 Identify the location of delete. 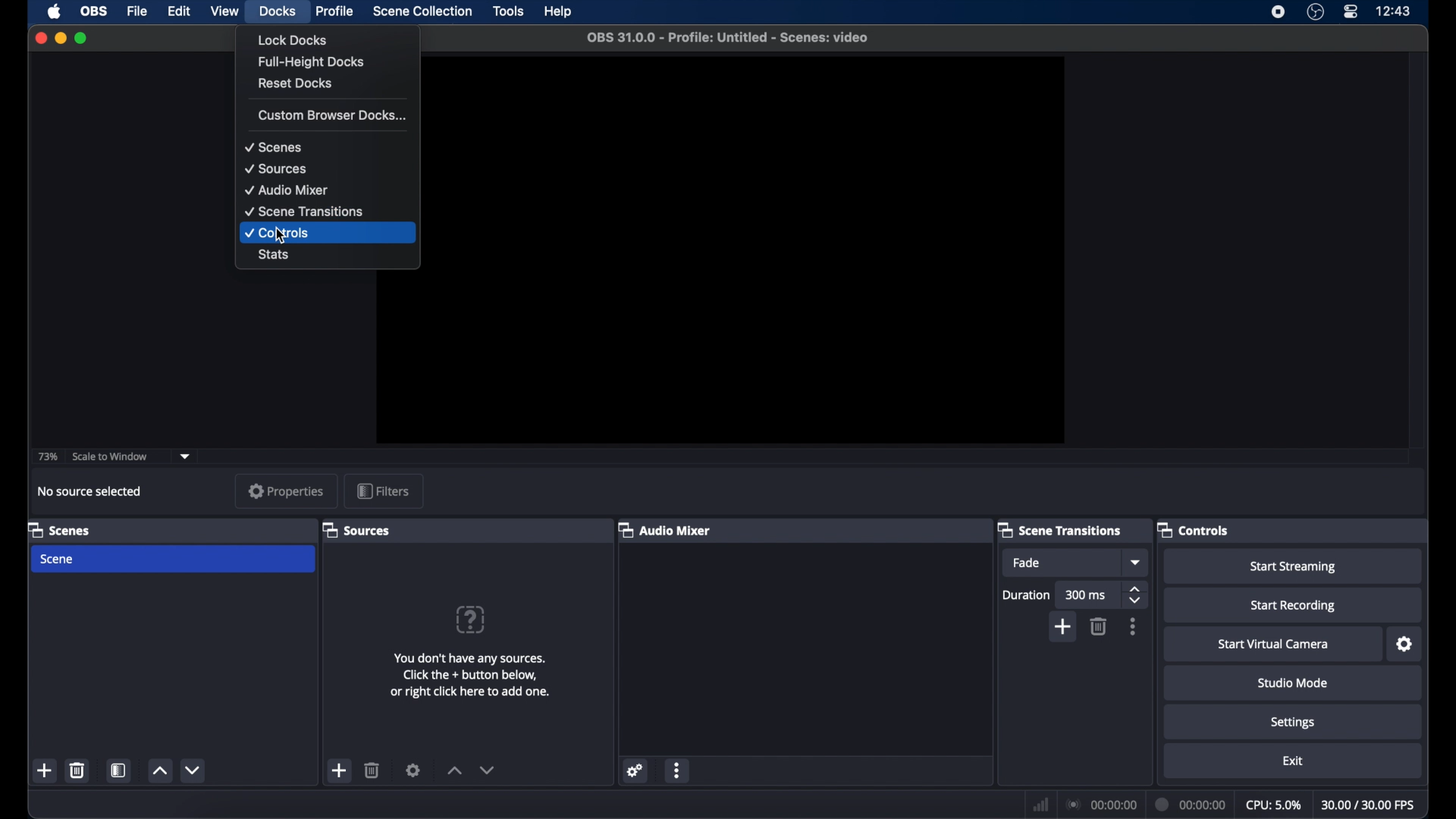
(1100, 626).